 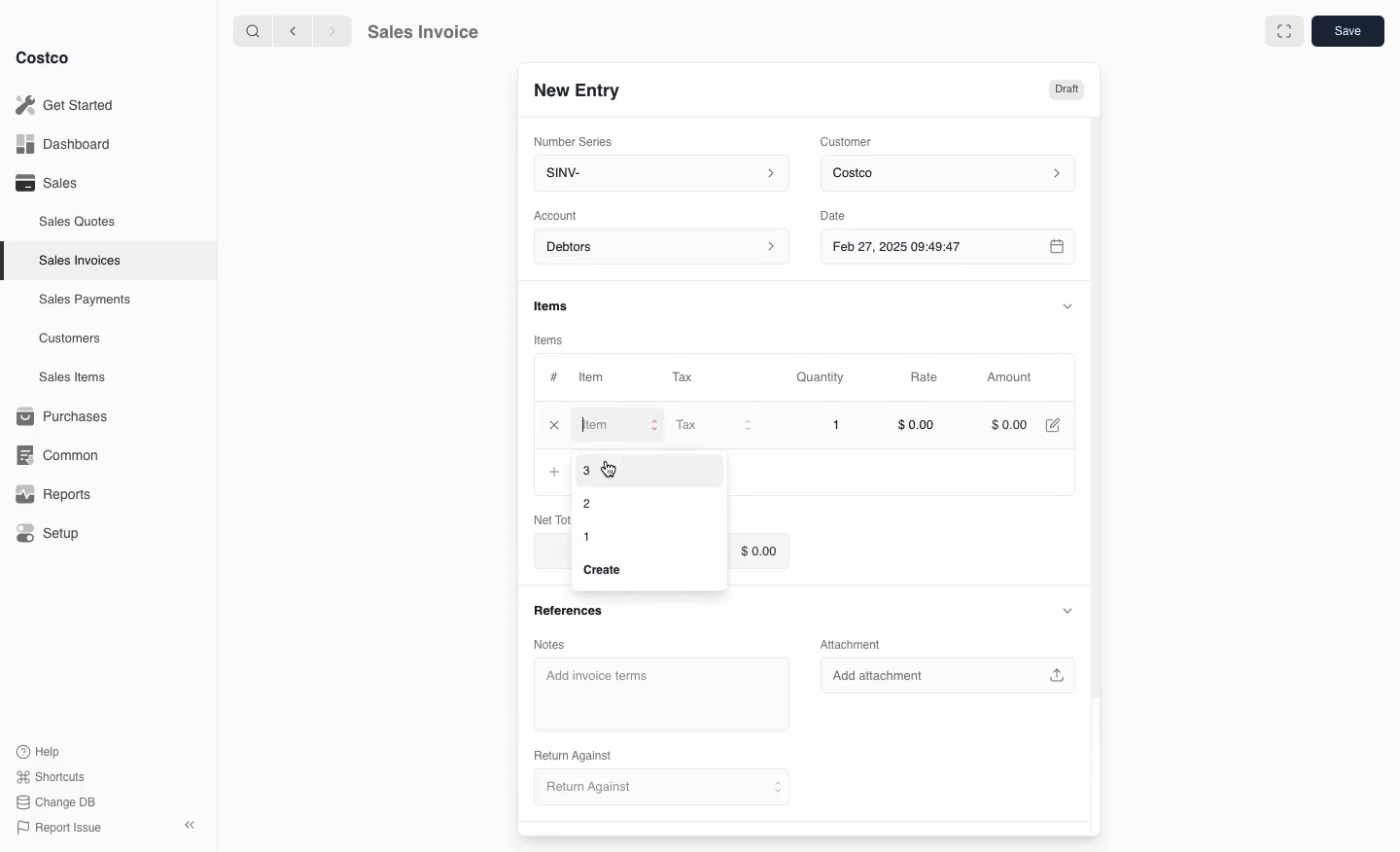 What do you see at coordinates (68, 105) in the screenshot?
I see `Get Started` at bounding box center [68, 105].